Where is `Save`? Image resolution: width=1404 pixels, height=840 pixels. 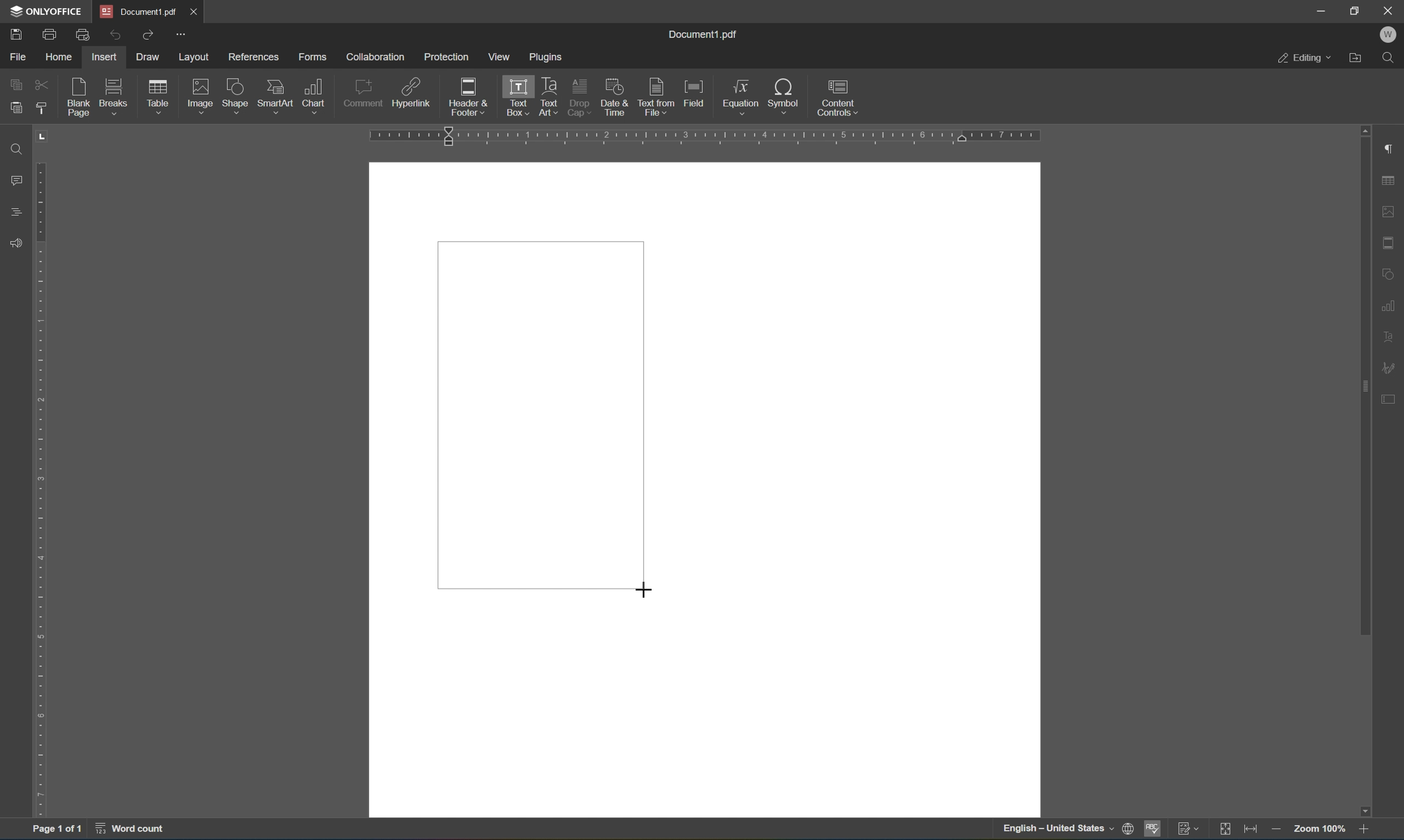
Save is located at coordinates (17, 35).